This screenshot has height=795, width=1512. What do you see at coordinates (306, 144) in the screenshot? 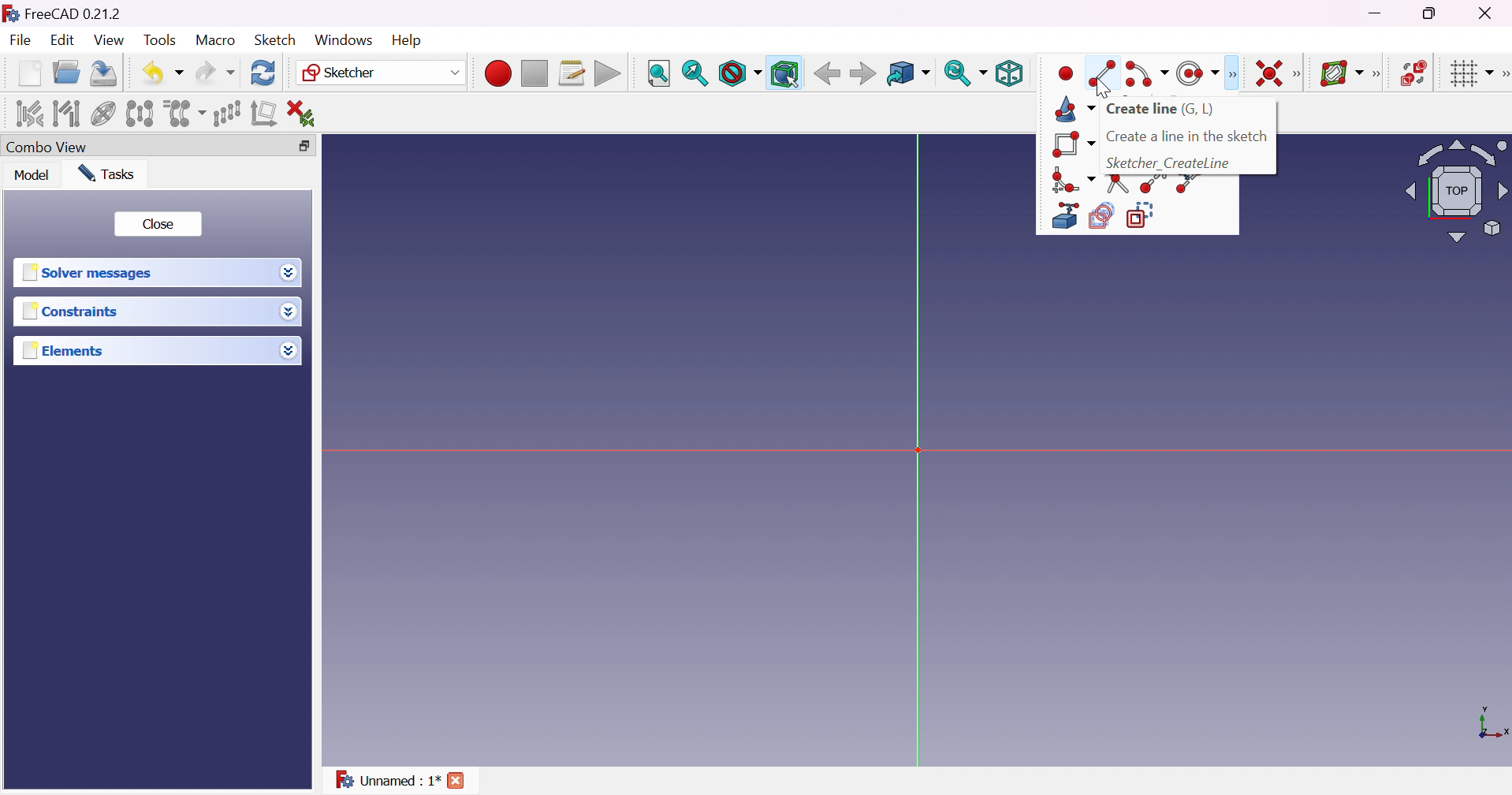
I see `Restore down` at bounding box center [306, 144].